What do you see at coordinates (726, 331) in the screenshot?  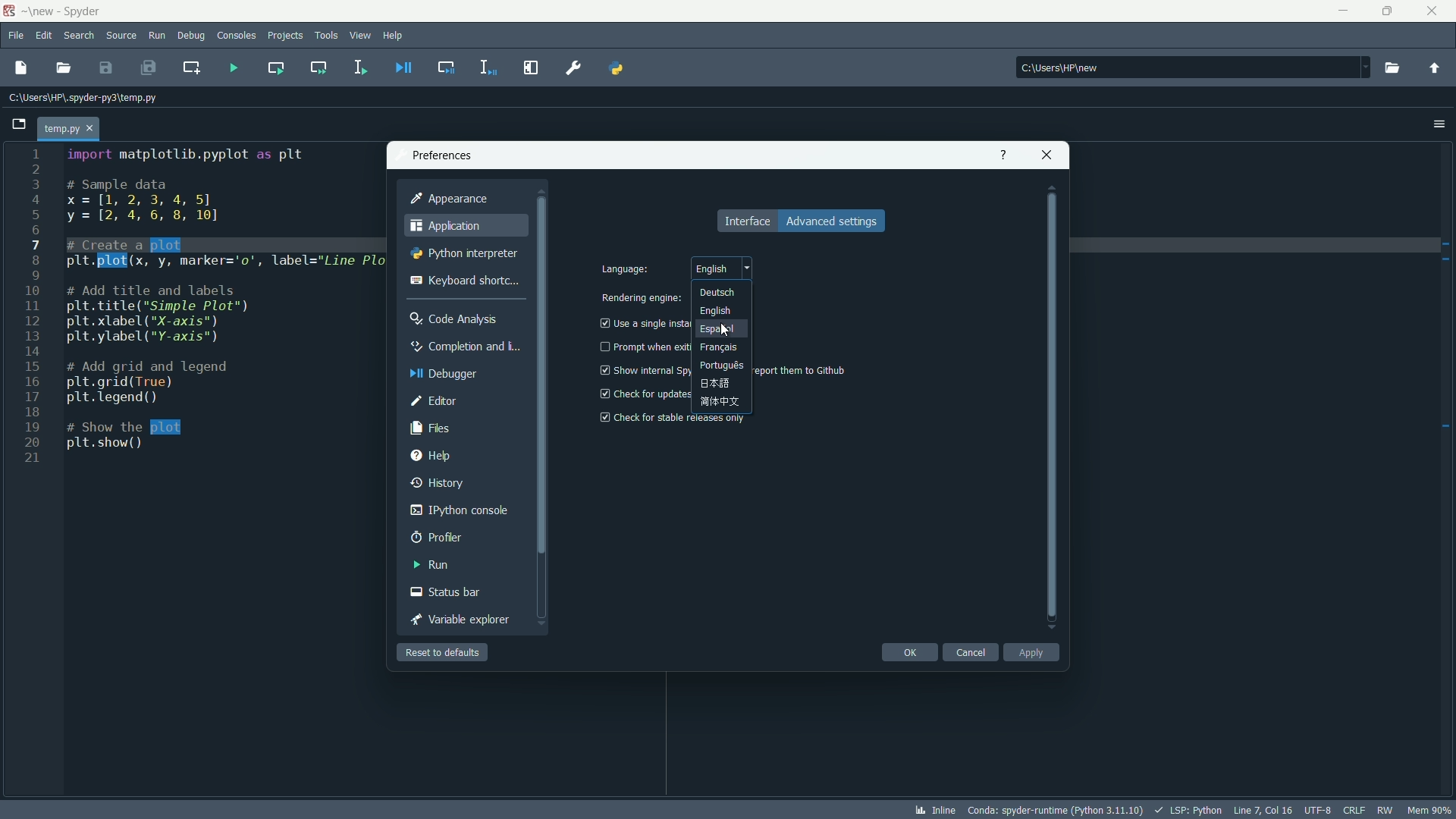 I see `cursor` at bounding box center [726, 331].